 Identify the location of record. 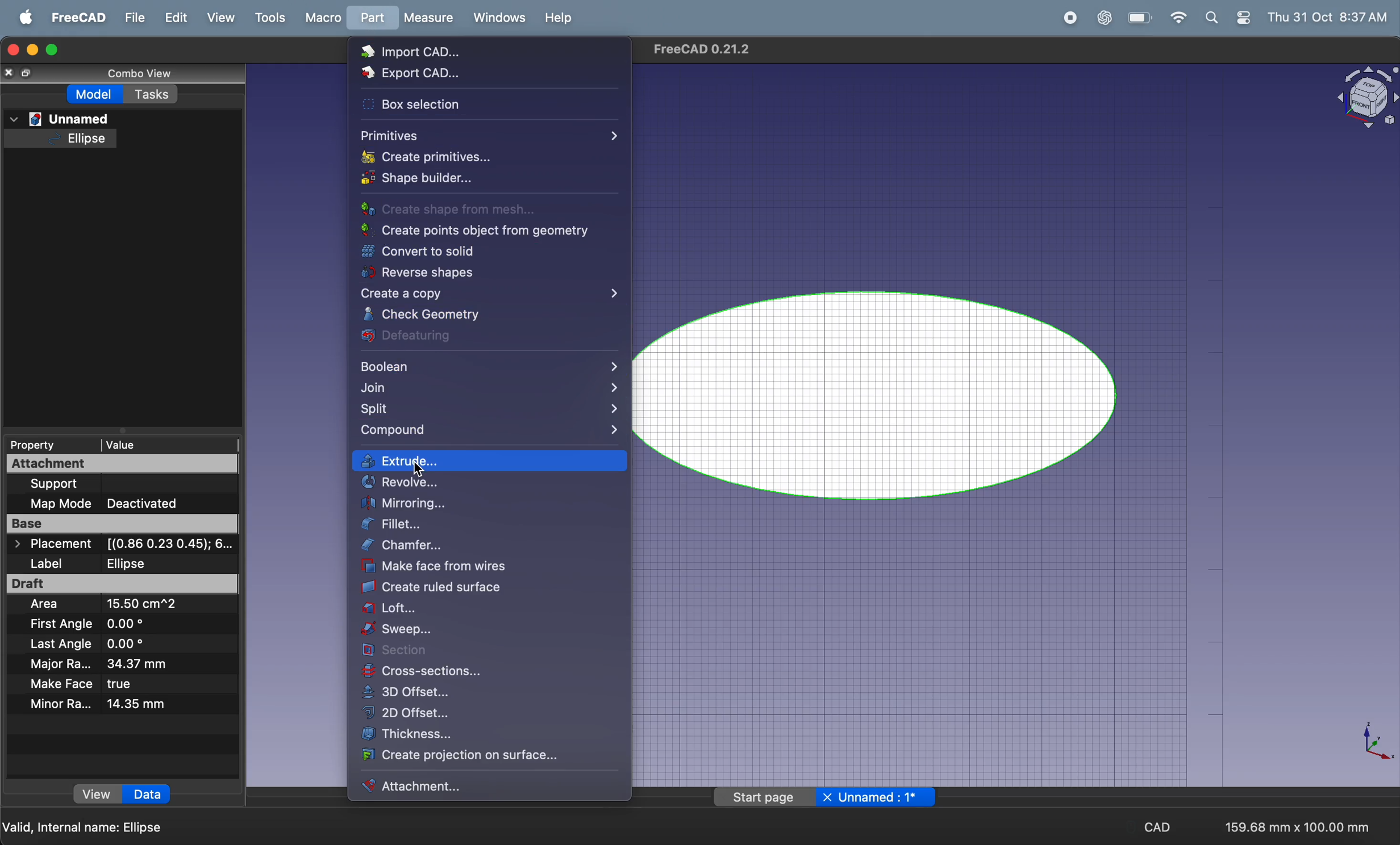
(1068, 19).